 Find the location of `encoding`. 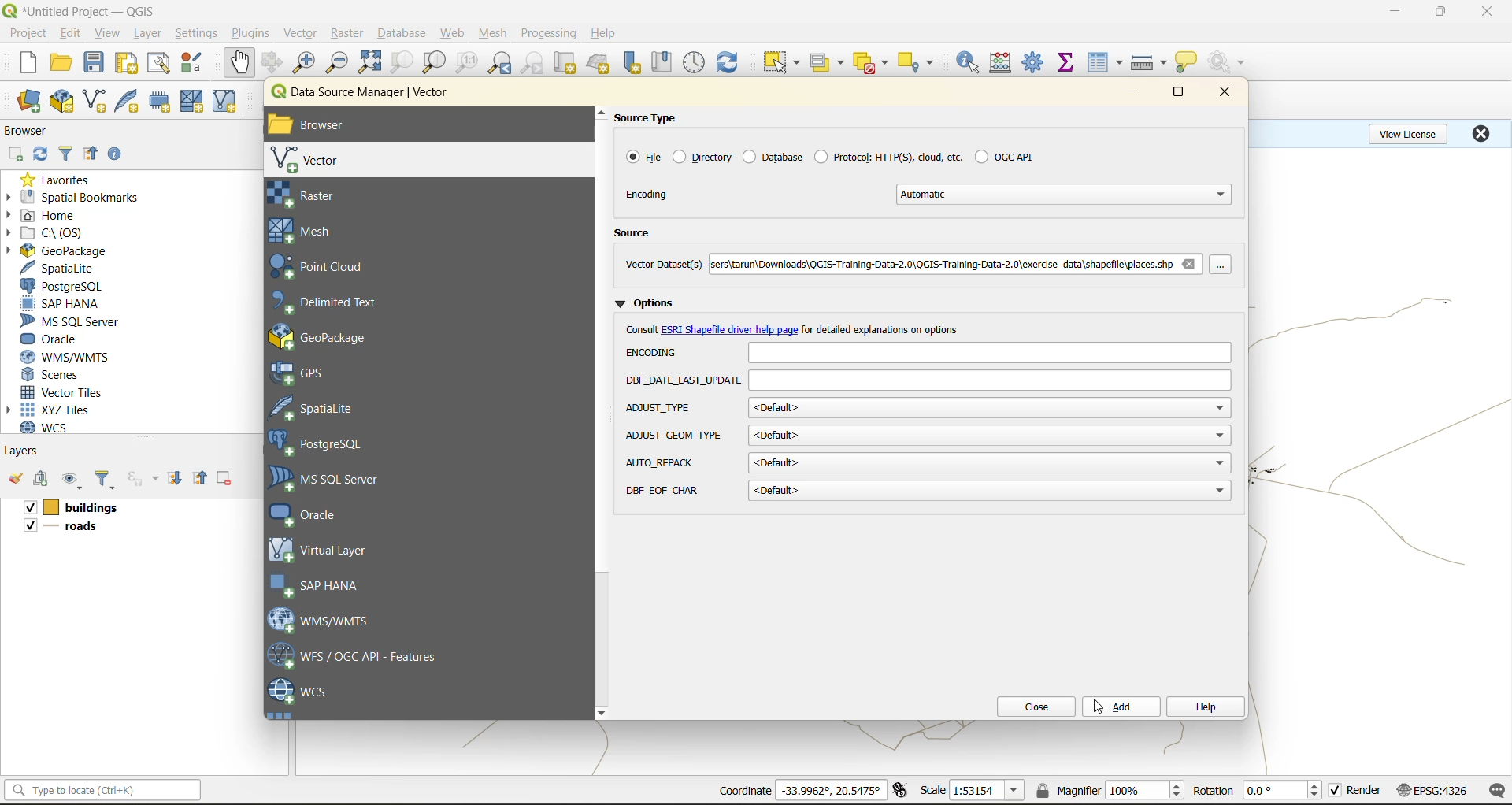

encoding is located at coordinates (649, 194).